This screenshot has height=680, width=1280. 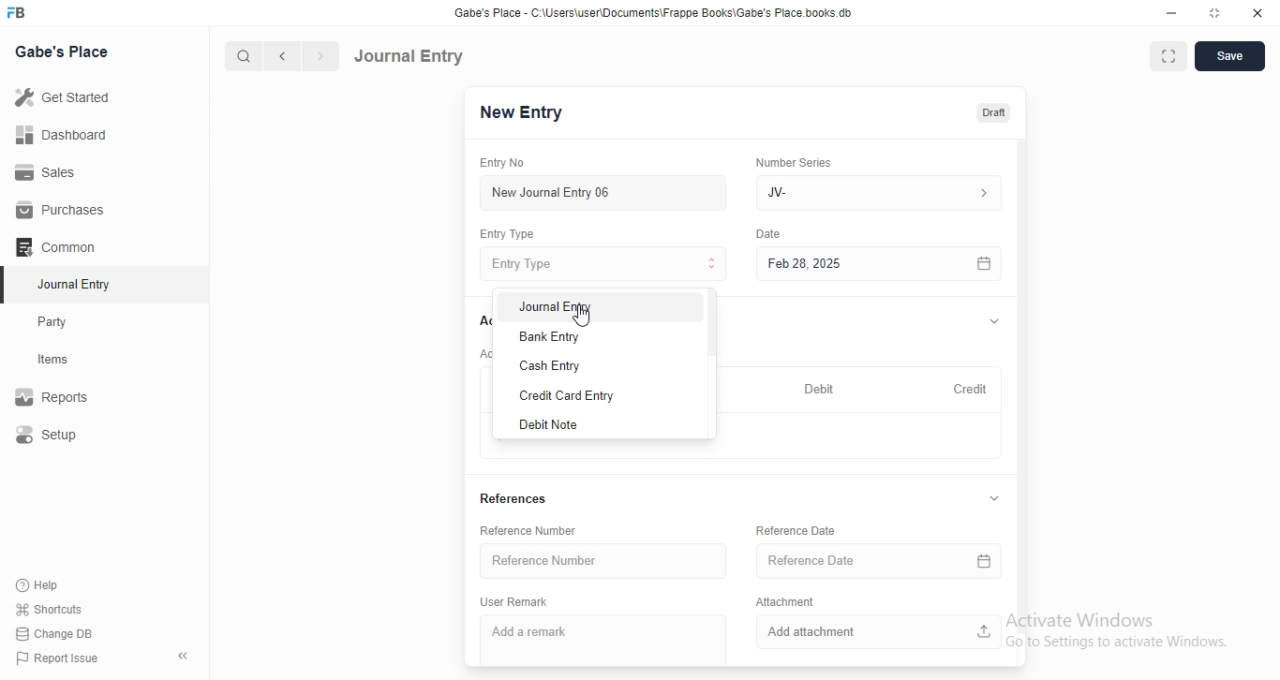 What do you see at coordinates (318, 57) in the screenshot?
I see `next` at bounding box center [318, 57].